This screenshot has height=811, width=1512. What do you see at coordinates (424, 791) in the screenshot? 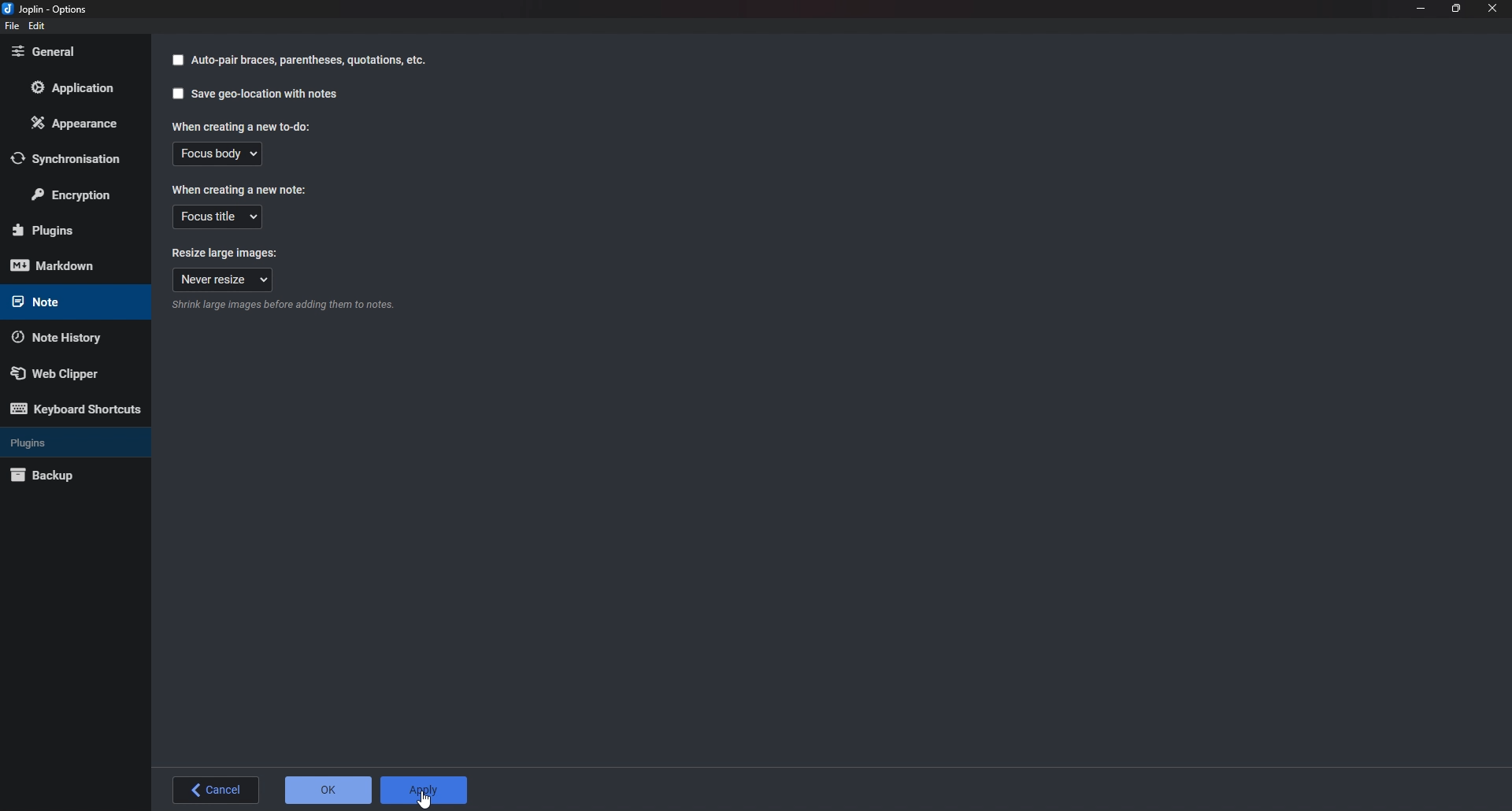
I see `Cursor on Apply` at bounding box center [424, 791].